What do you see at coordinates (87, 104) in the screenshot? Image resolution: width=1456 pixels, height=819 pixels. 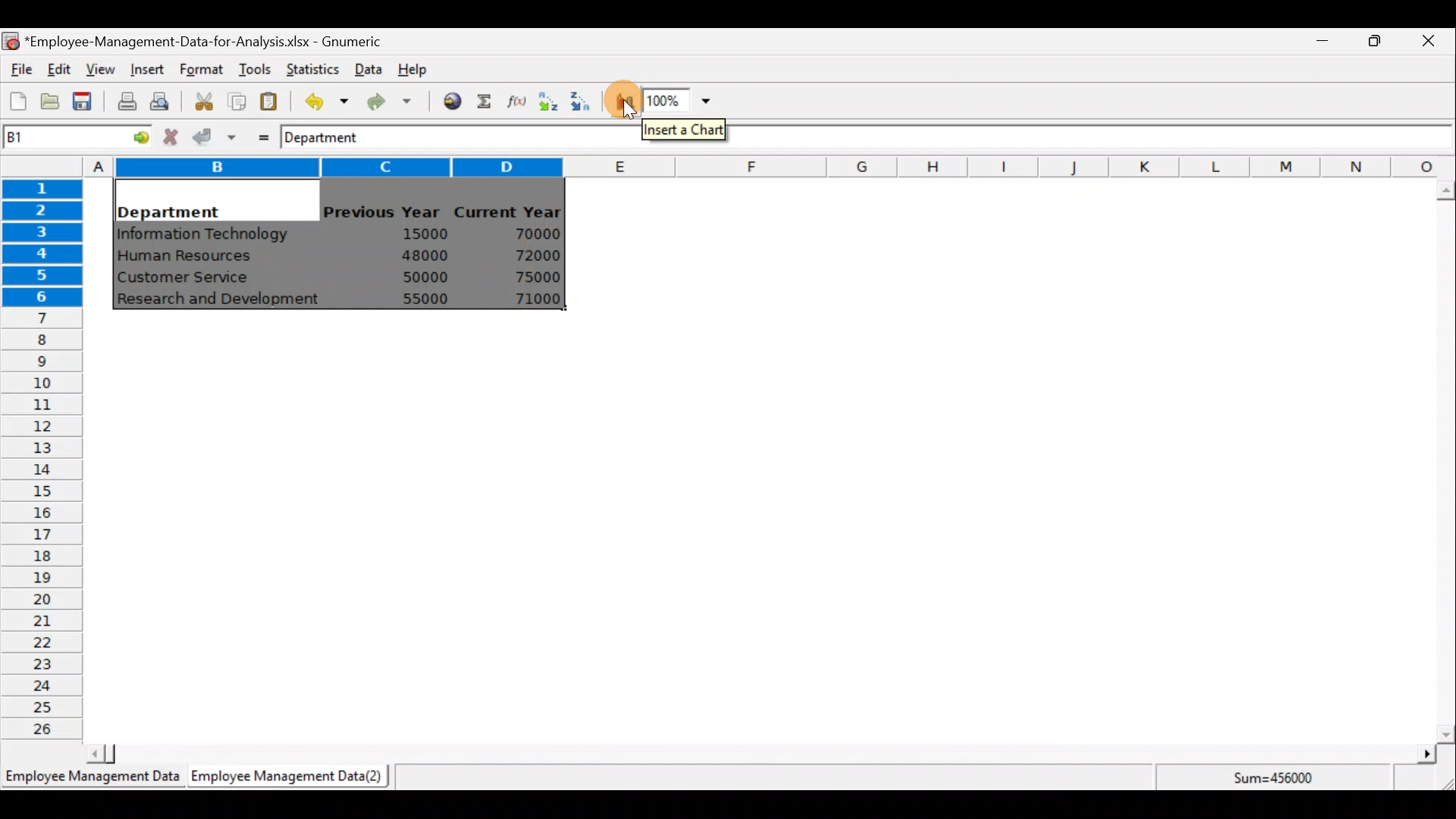 I see `Save the current workbook` at bounding box center [87, 104].